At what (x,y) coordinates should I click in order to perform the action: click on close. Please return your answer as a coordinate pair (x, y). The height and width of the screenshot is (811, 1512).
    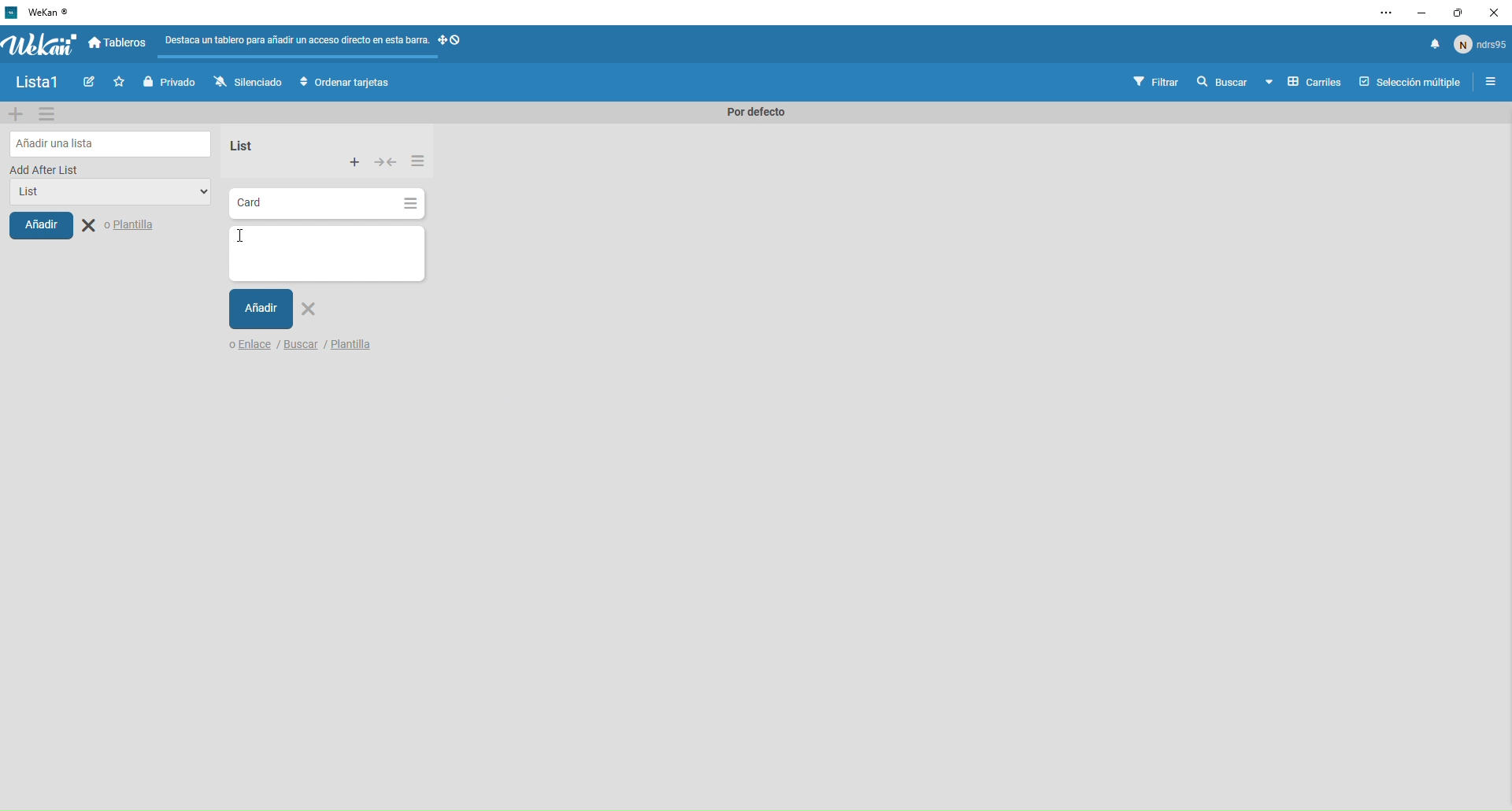
    Looking at the image, I should click on (1492, 14).